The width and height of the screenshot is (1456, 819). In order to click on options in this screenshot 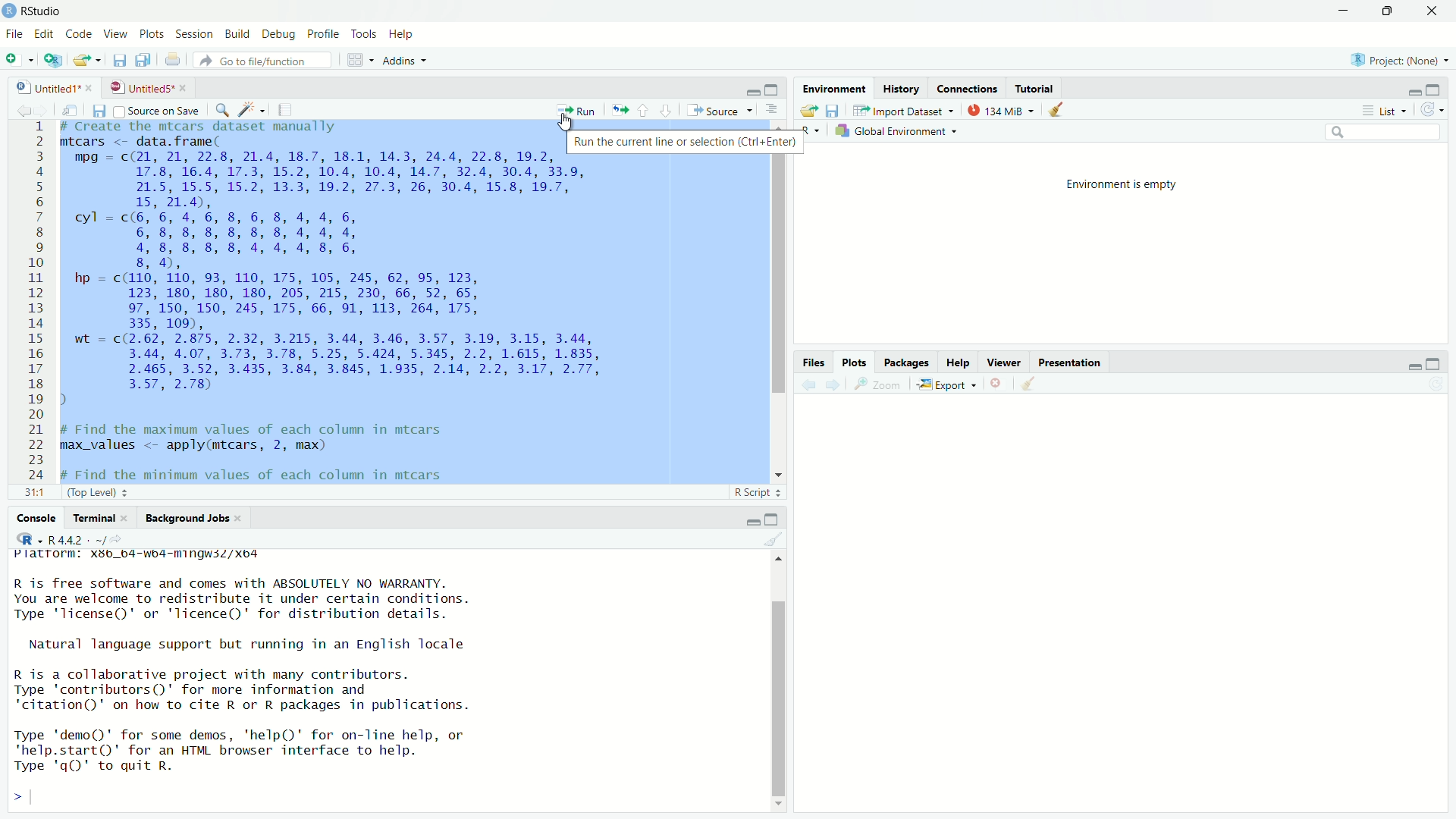, I will do `click(771, 110)`.